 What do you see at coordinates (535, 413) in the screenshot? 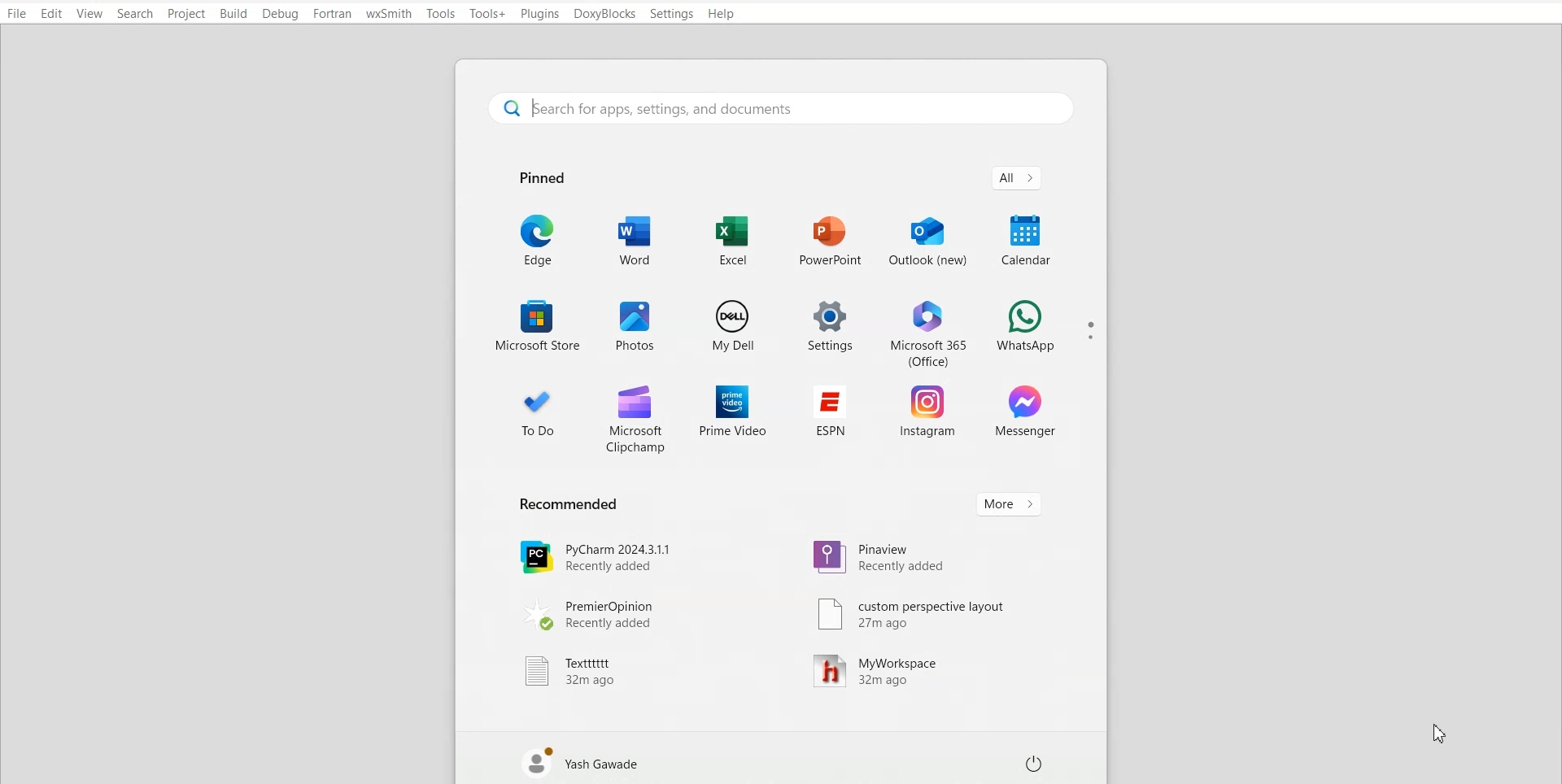
I see `To Do` at bounding box center [535, 413].